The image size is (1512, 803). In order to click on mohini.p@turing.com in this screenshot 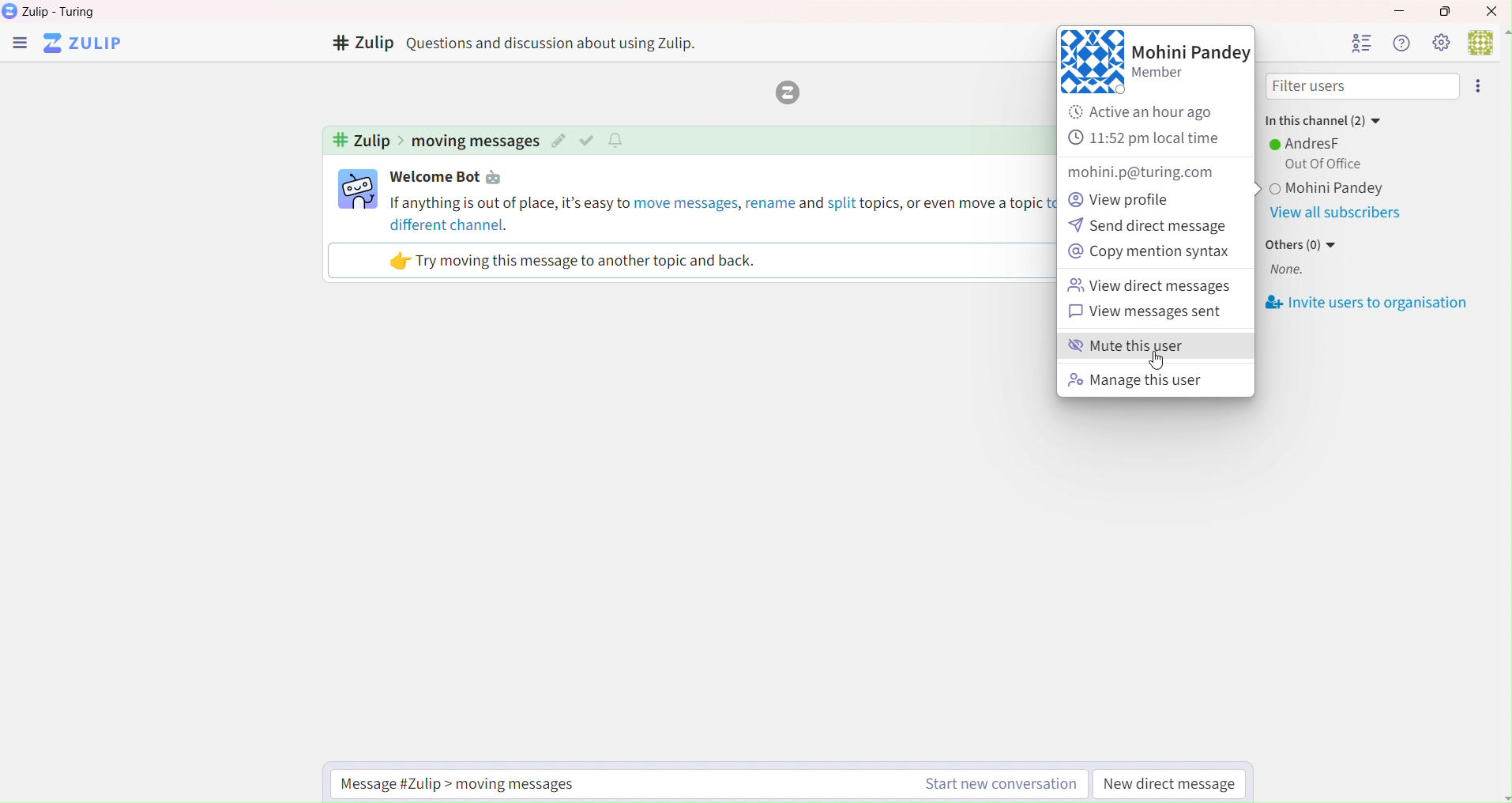, I will do `click(1138, 172)`.